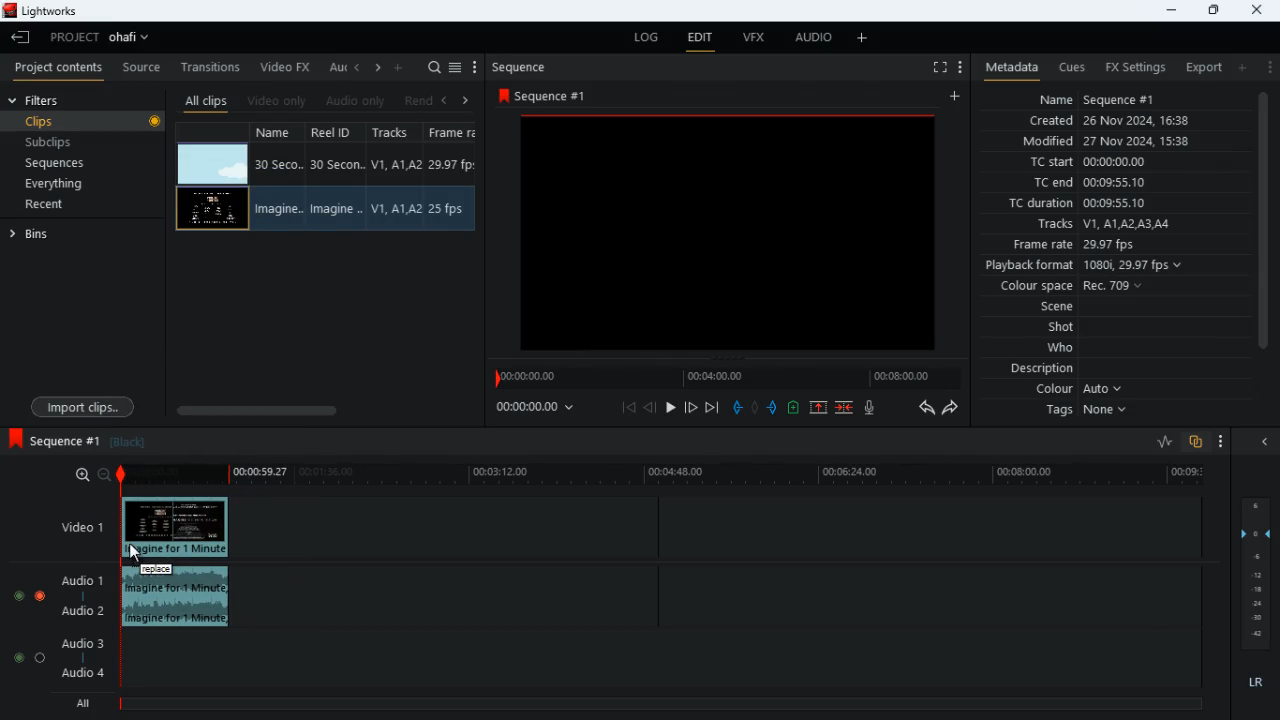  Describe the element at coordinates (846, 408) in the screenshot. I see `merge` at that location.